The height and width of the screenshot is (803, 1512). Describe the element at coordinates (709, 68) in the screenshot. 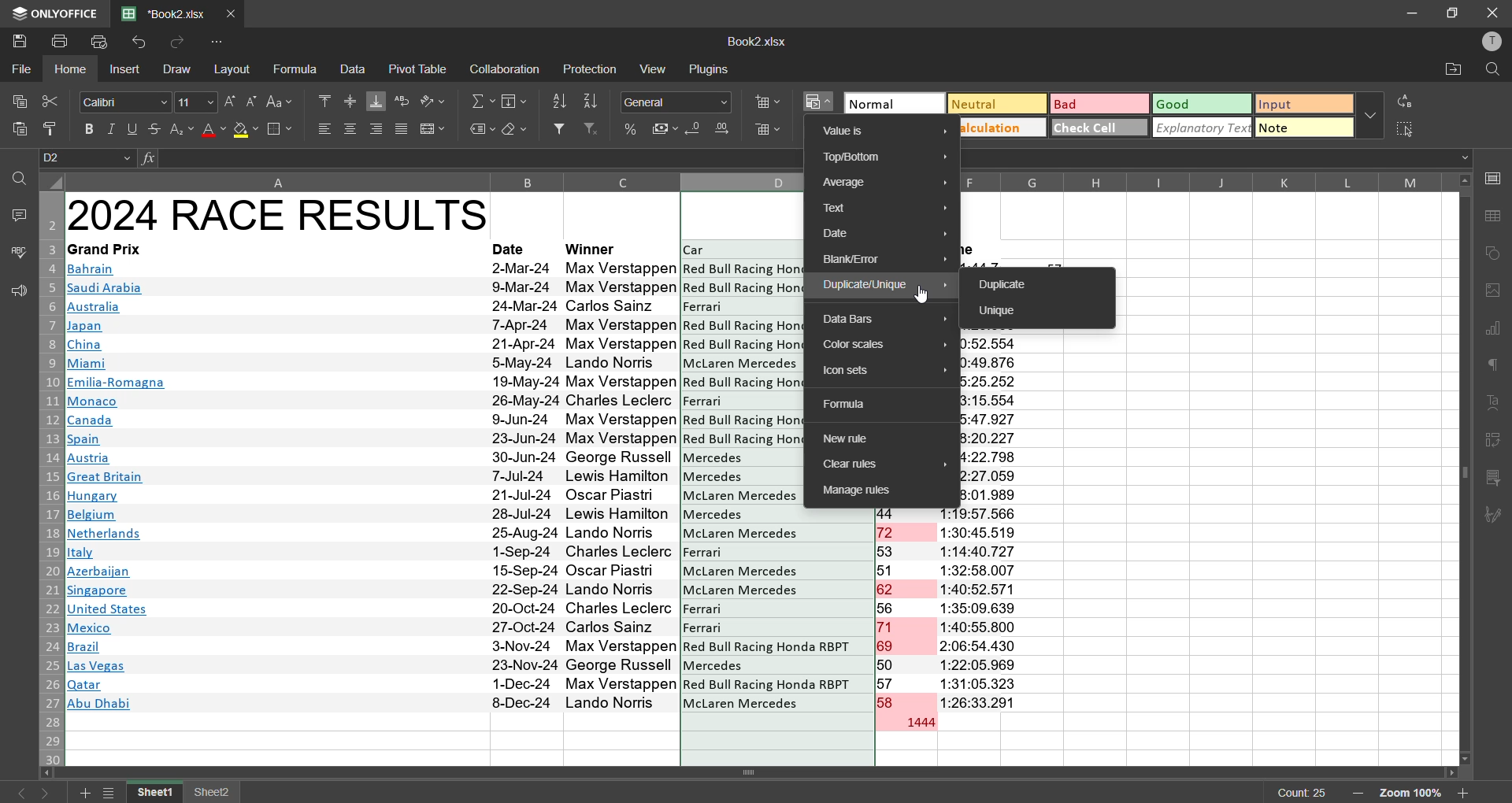

I see `plugins` at that location.